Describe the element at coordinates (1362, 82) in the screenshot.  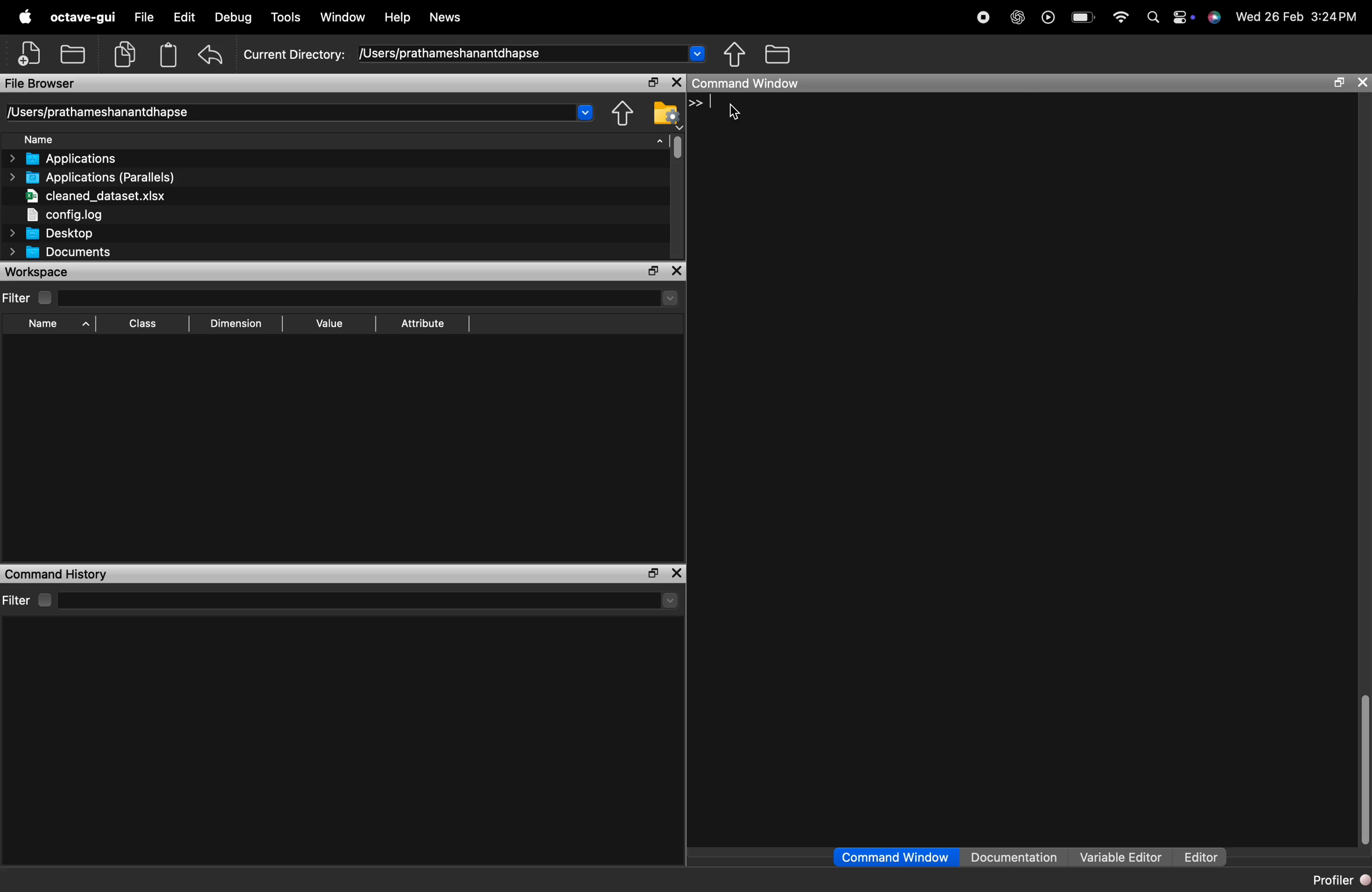
I see `Close` at that location.